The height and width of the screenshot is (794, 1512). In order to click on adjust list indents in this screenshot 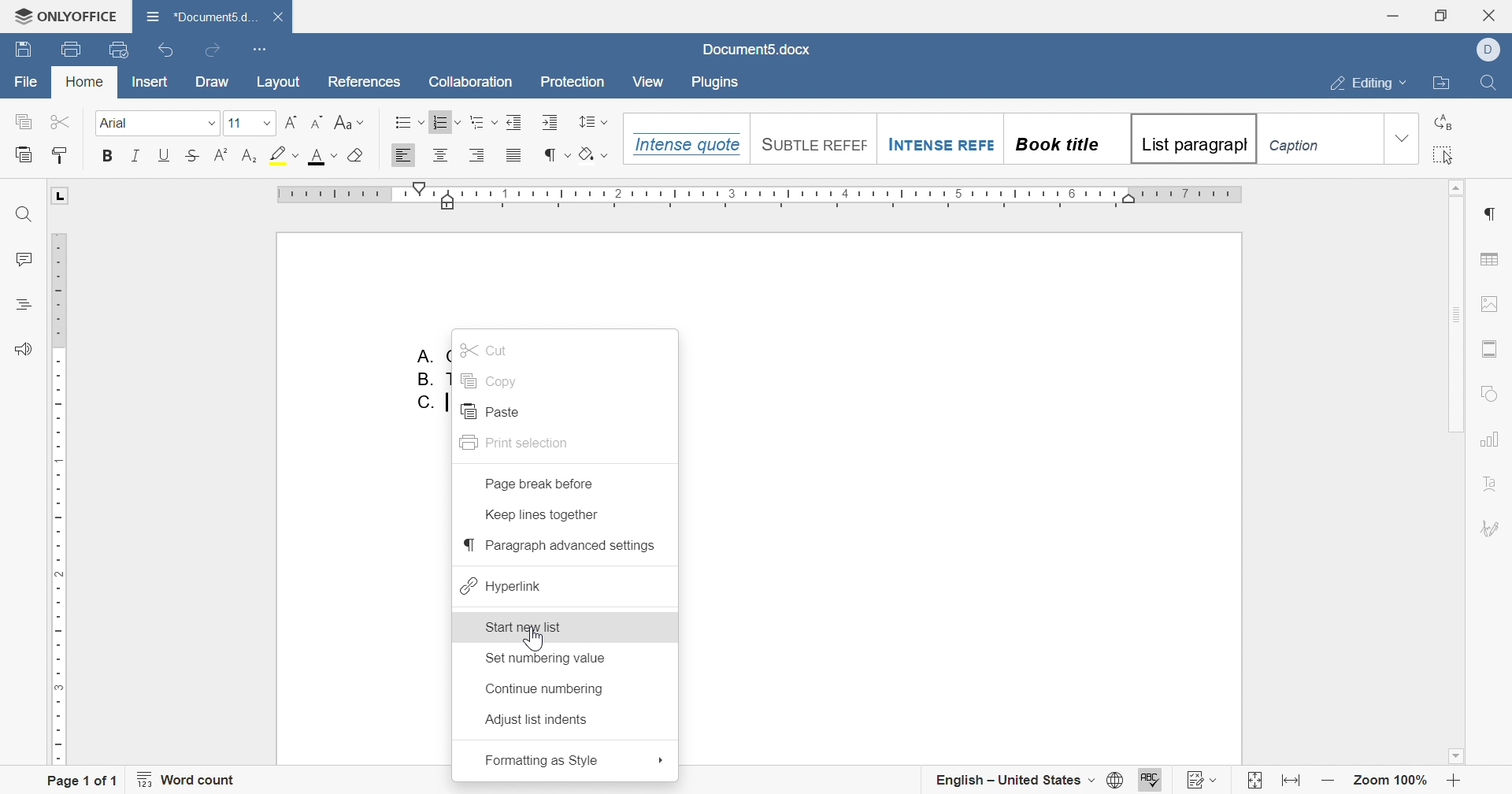, I will do `click(541, 720)`.